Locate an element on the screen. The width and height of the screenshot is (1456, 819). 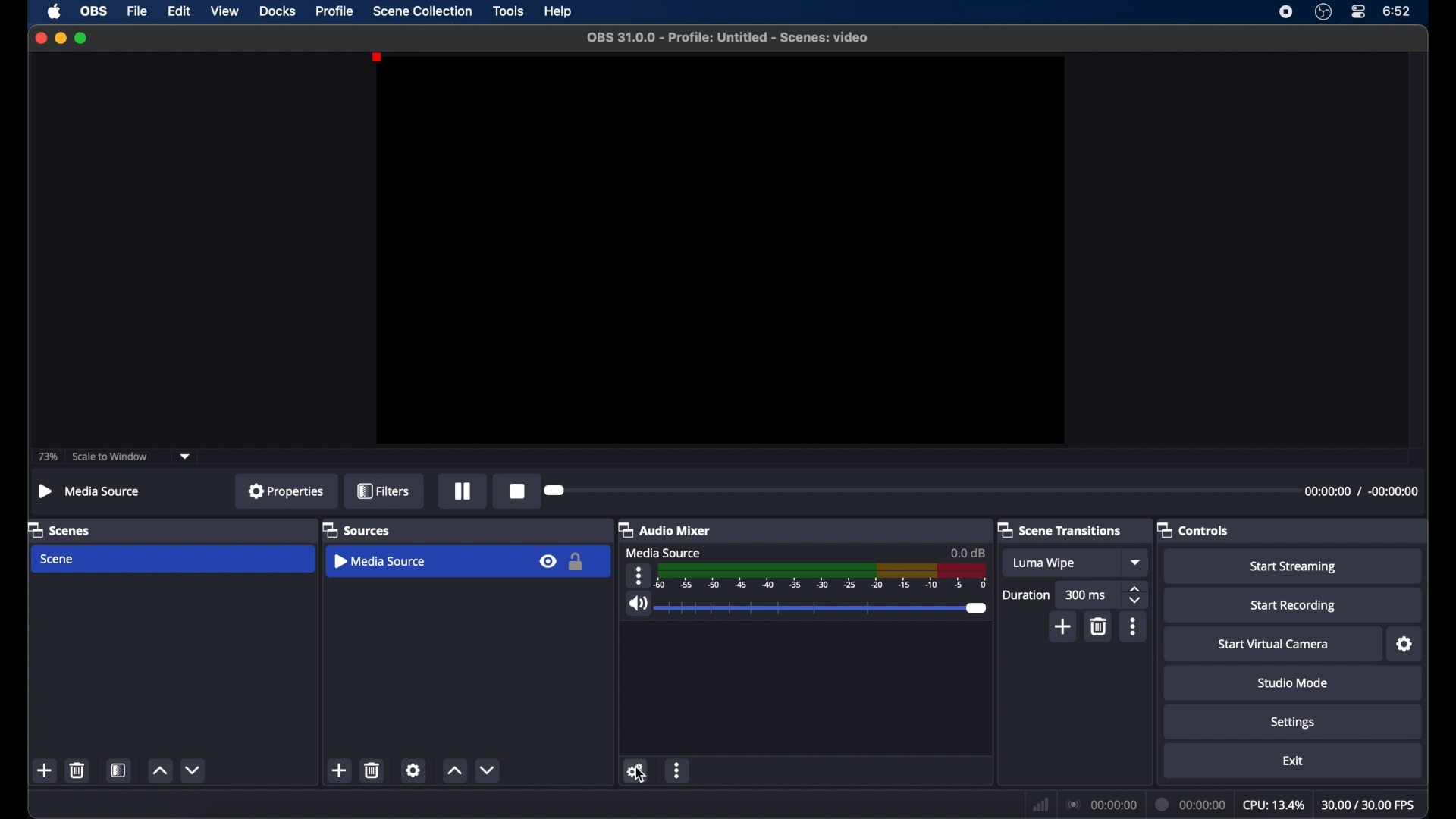
decrement is located at coordinates (488, 770).